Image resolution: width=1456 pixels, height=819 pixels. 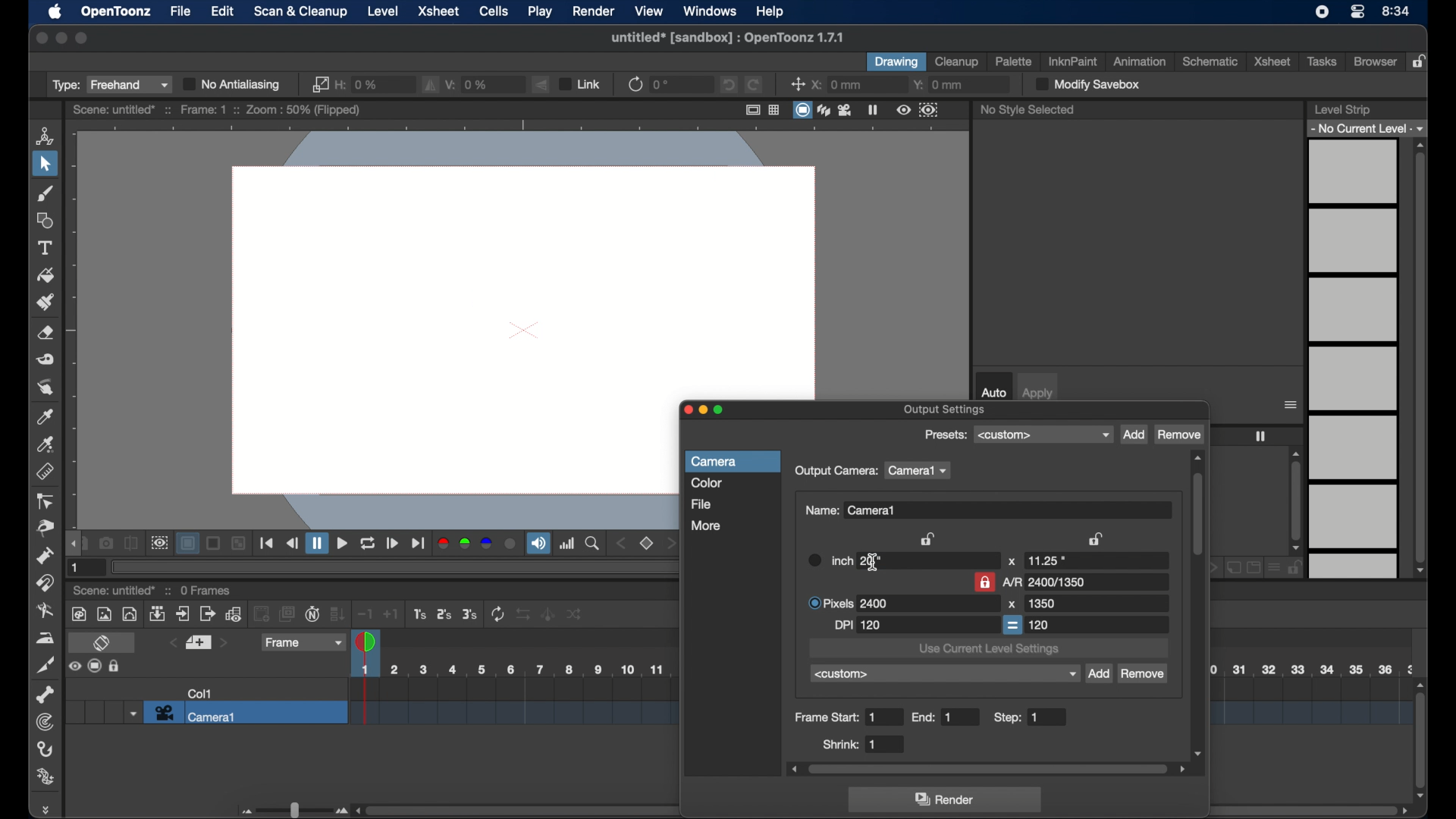 What do you see at coordinates (40, 38) in the screenshot?
I see `close` at bounding box center [40, 38].